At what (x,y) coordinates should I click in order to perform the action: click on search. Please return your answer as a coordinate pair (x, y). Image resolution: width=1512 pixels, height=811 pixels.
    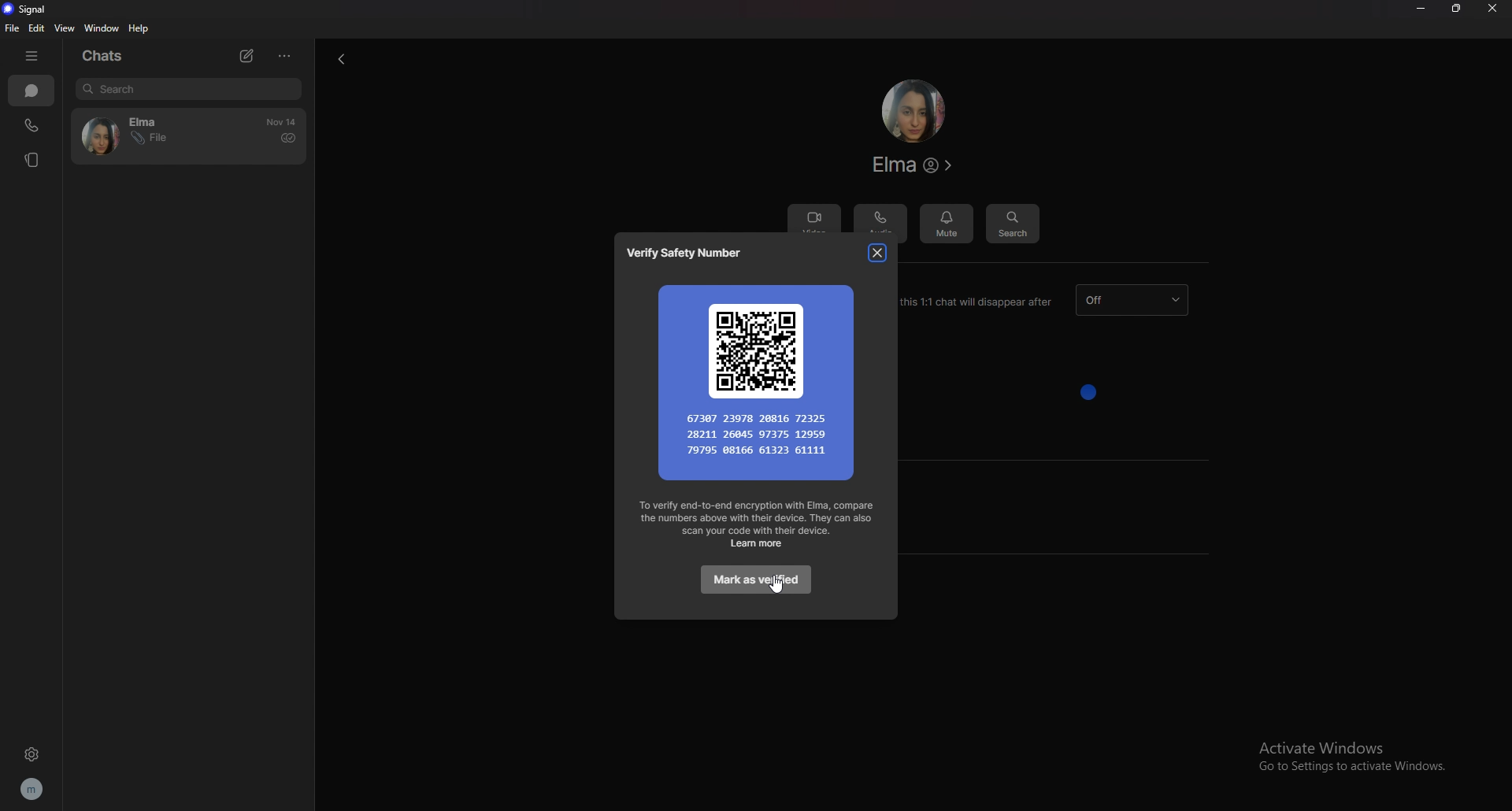
    Looking at the image, I should click on (1012, 222).